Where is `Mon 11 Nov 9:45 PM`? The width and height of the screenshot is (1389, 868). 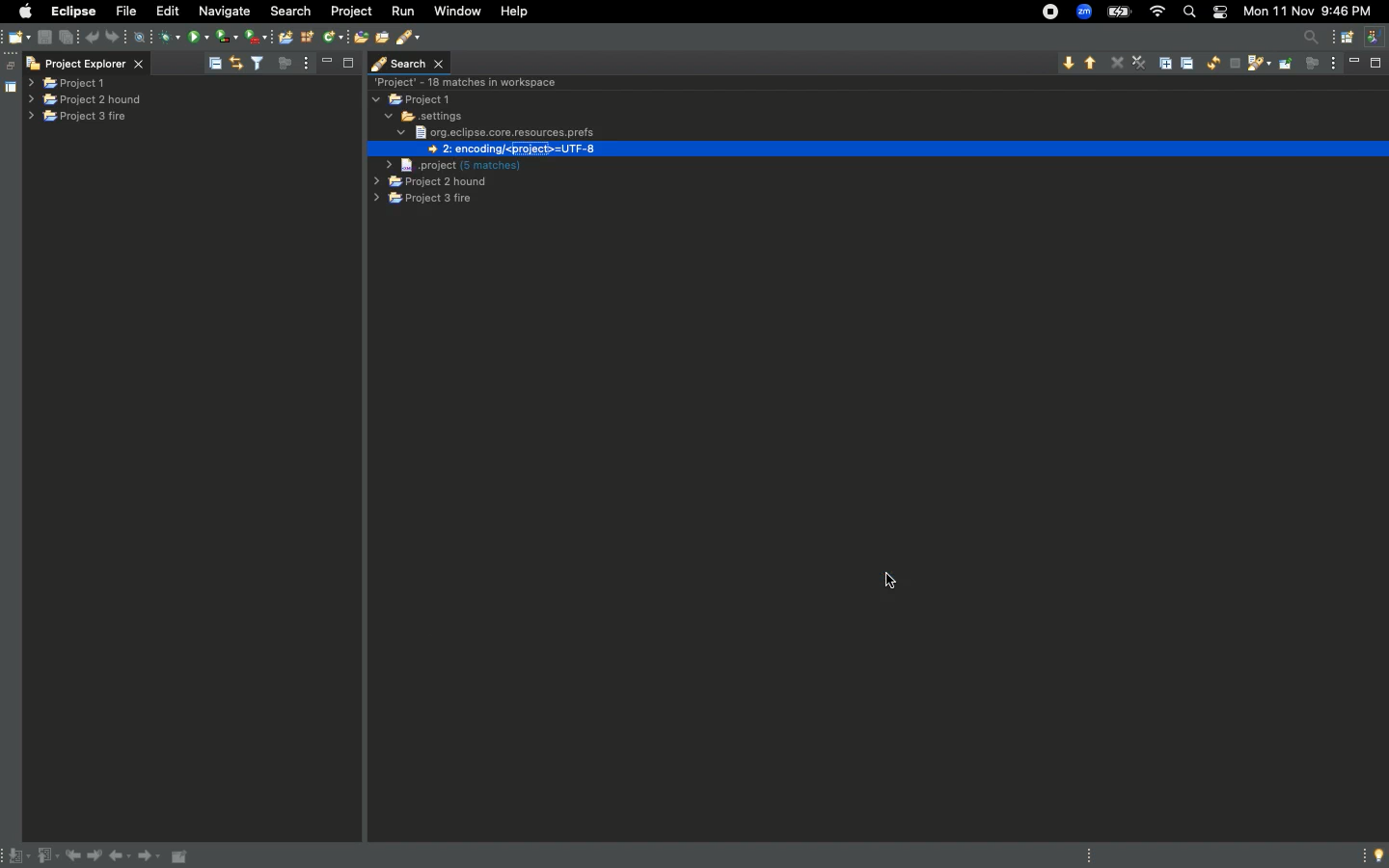
Mon 11 Nov 9:45 PM is located at coordinates (1314, 11).